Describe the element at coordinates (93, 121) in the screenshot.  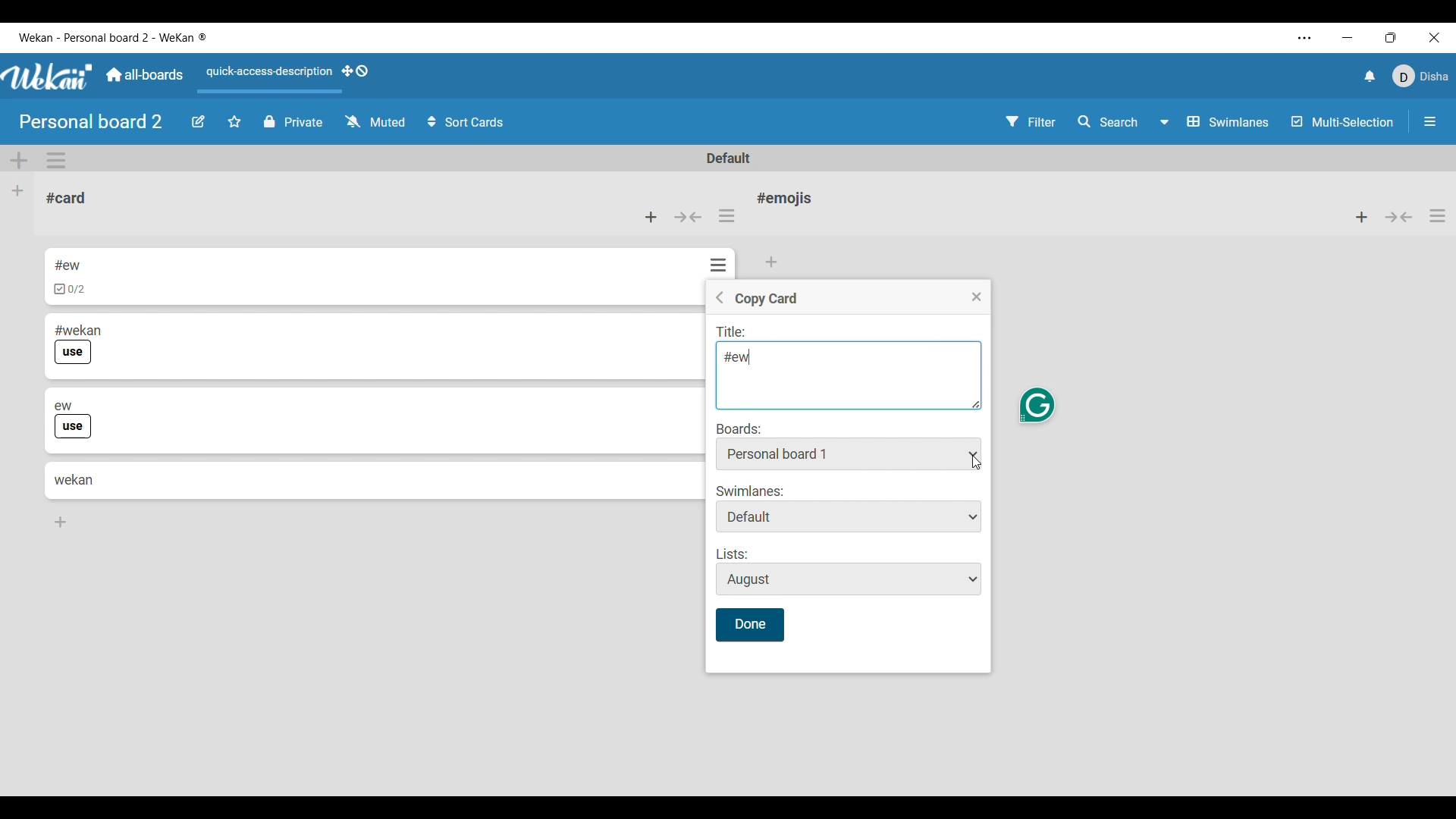
I see `Board name` at that location.